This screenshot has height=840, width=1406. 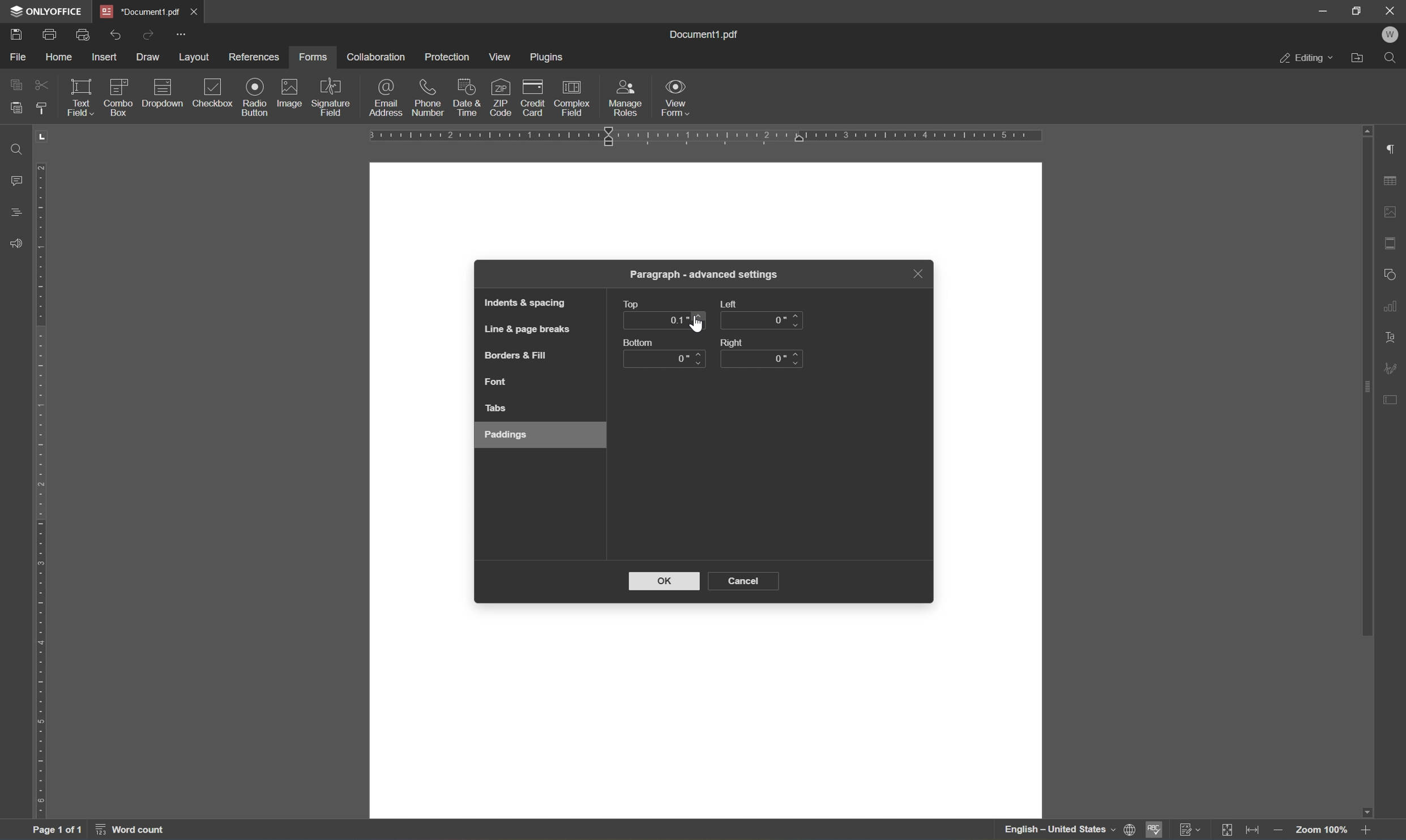 I want to click on borders & fill, so click(x=514, y=357).